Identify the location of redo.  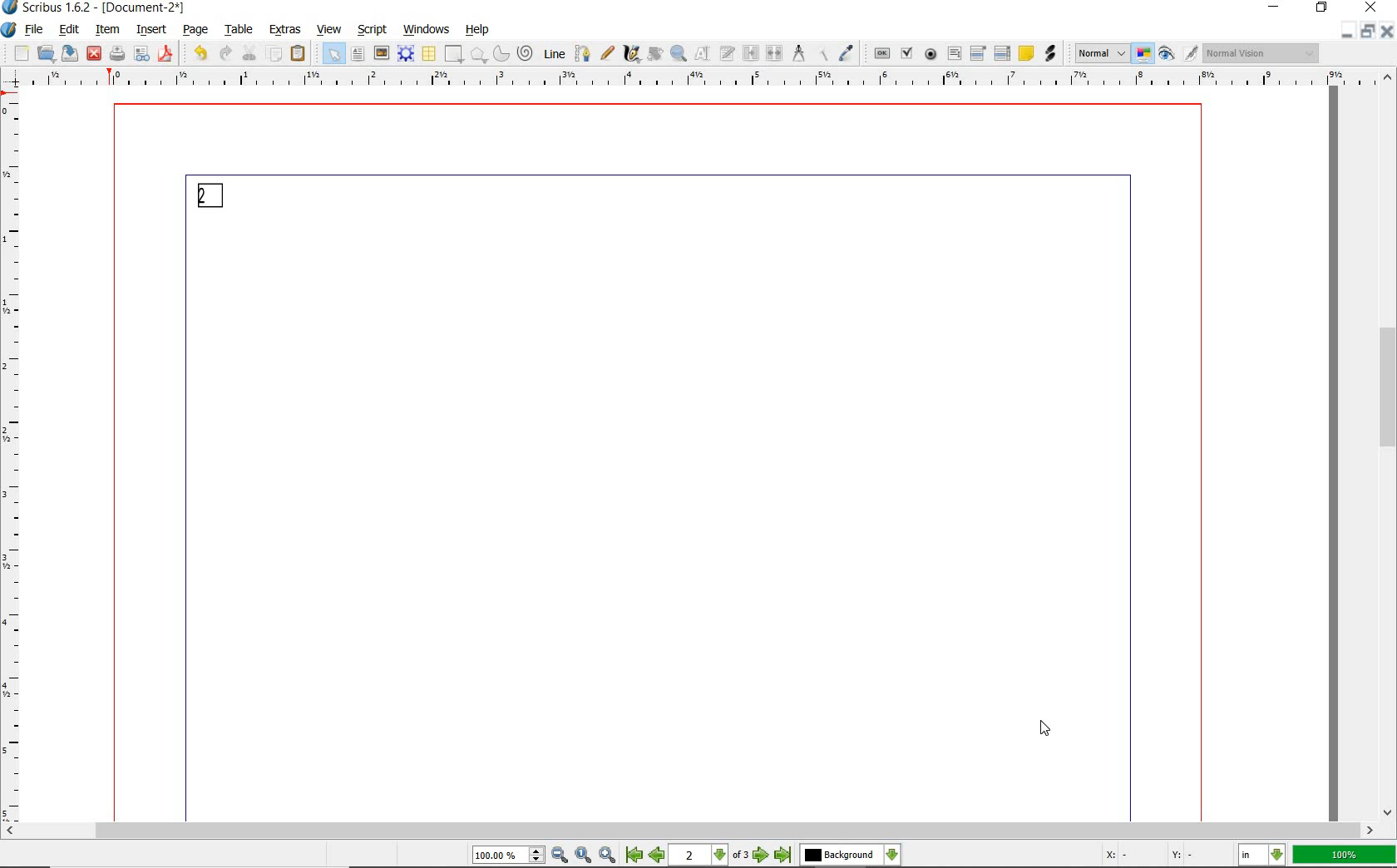
(224, 53).